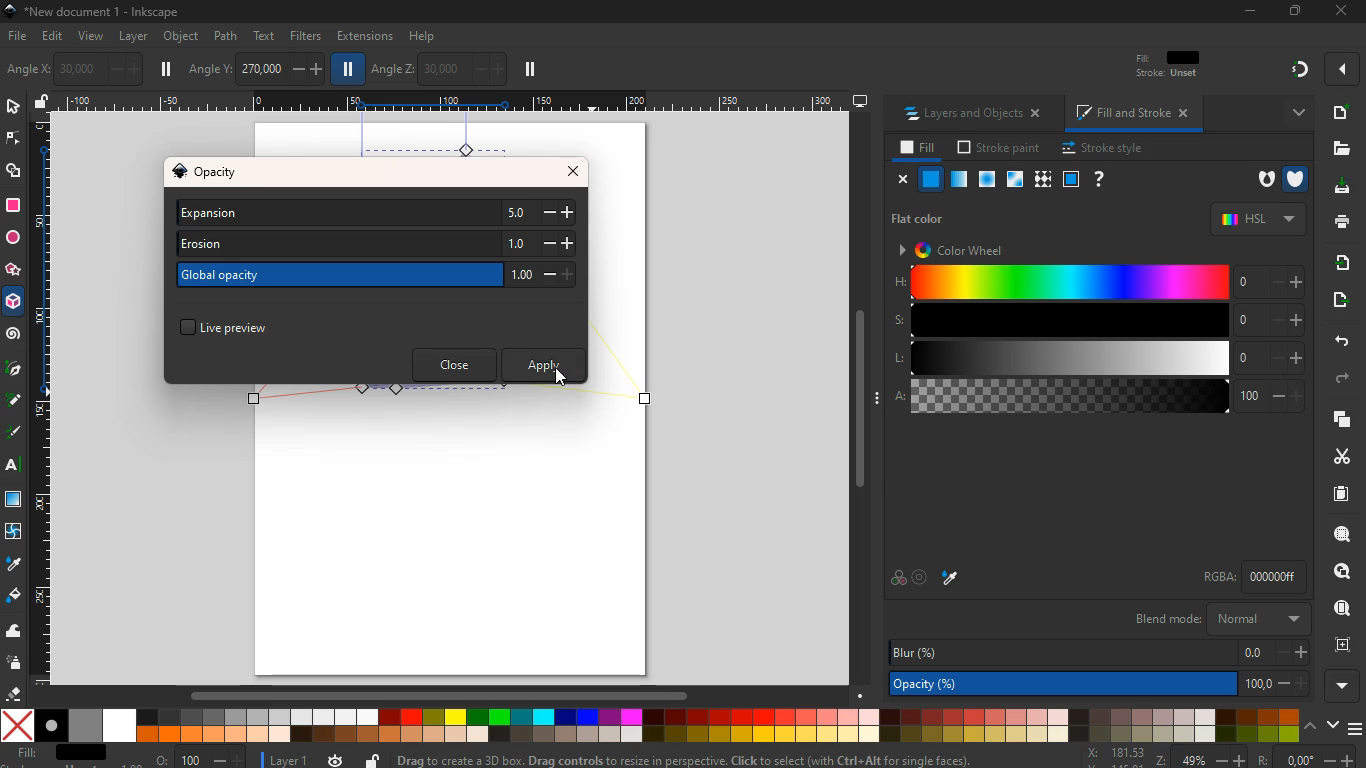 This screenshot has height=768, width=1366. I want to click on unlock, so click(42, 103).